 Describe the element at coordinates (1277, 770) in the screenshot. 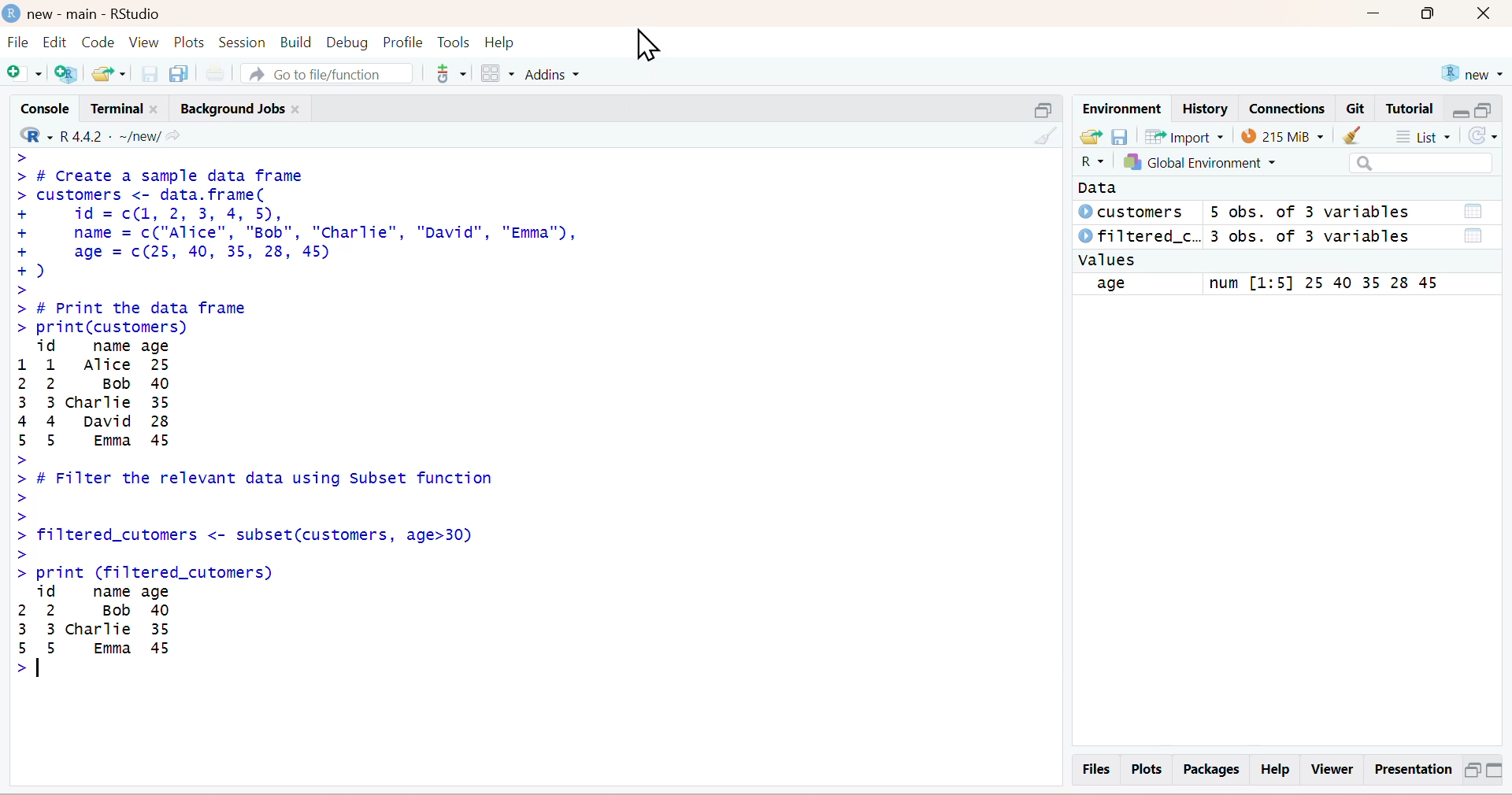

I see `Help` at that location.